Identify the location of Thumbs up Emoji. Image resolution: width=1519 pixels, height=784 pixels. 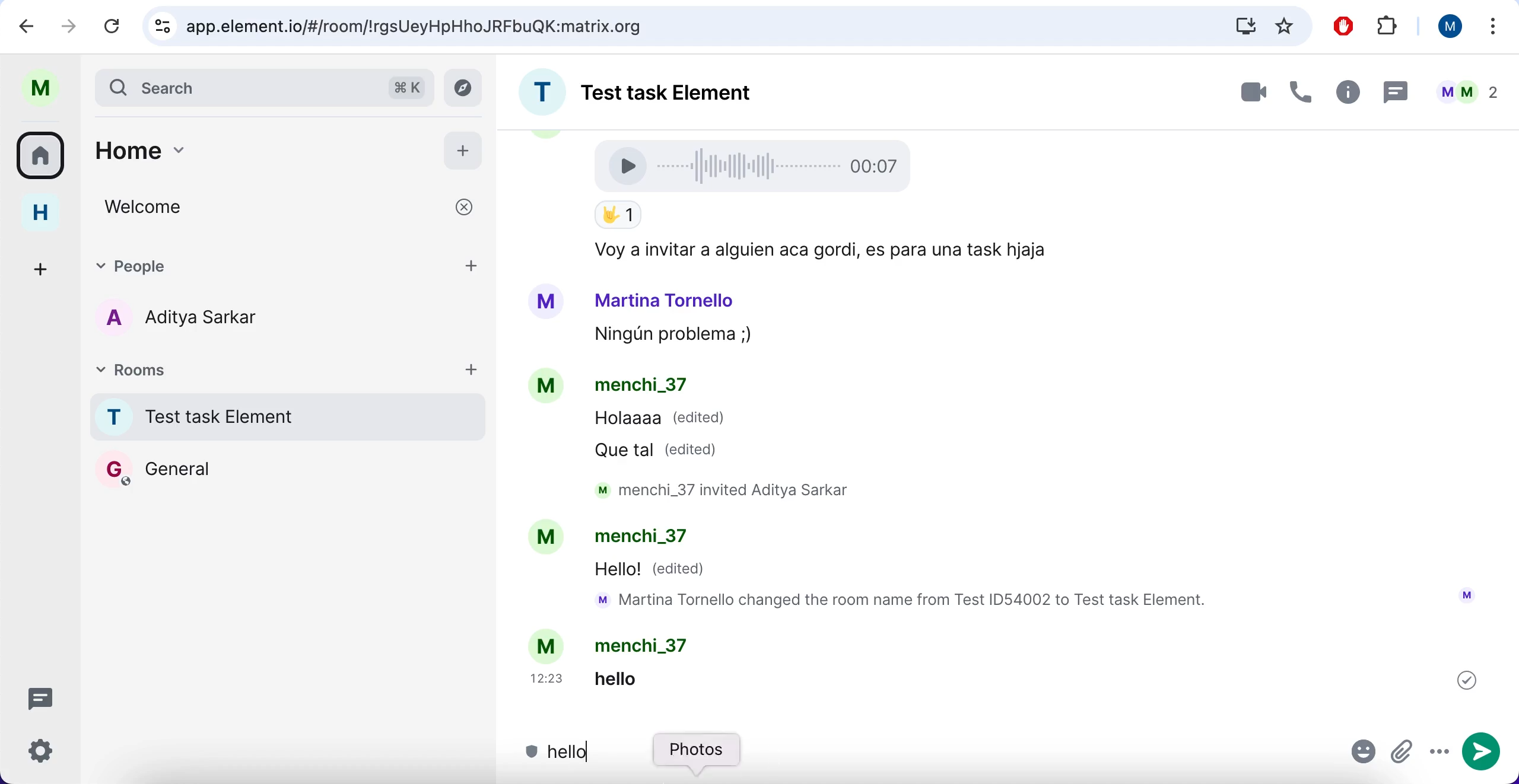
(617, 216).